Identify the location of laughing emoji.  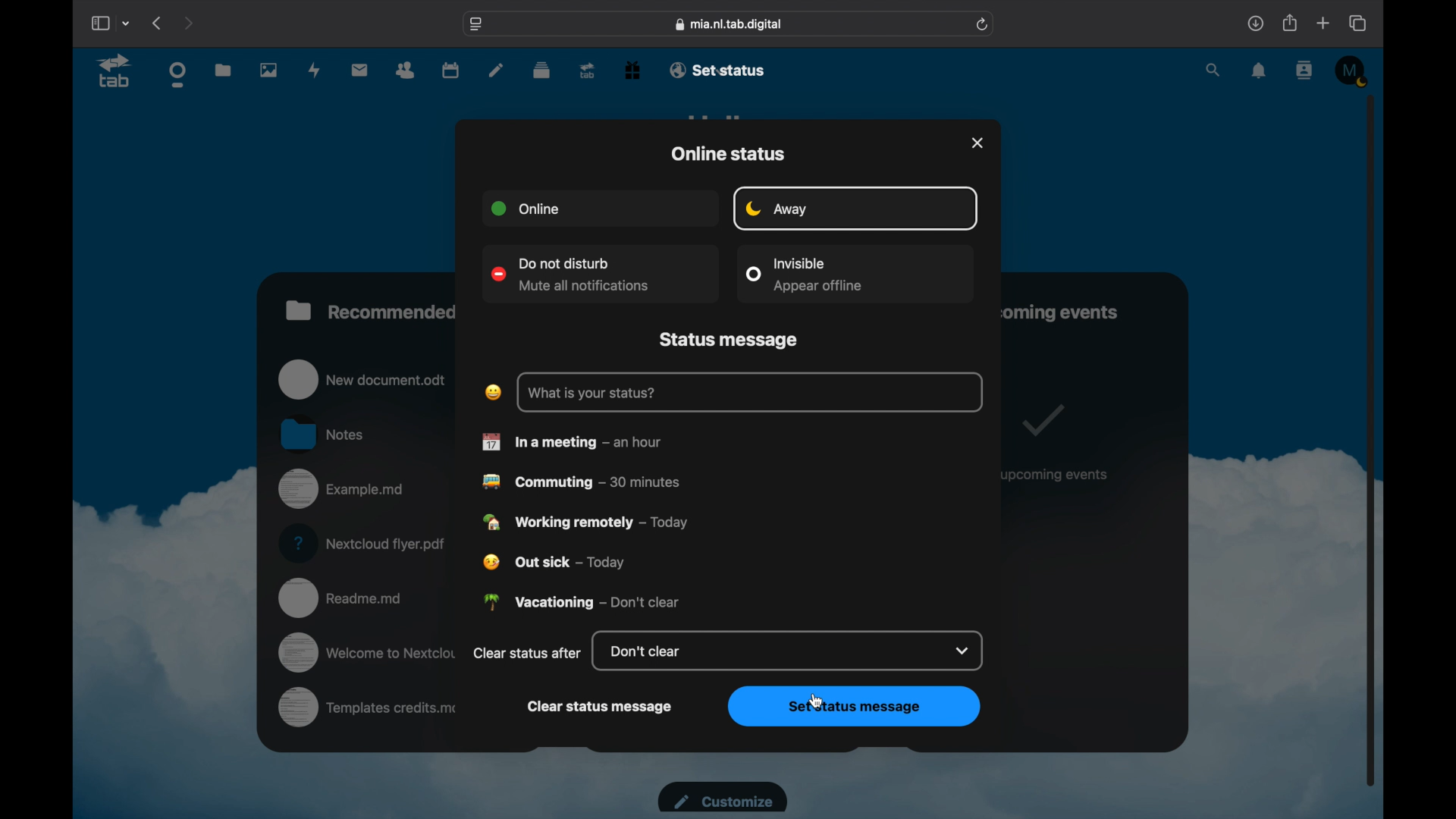
(492, 391).